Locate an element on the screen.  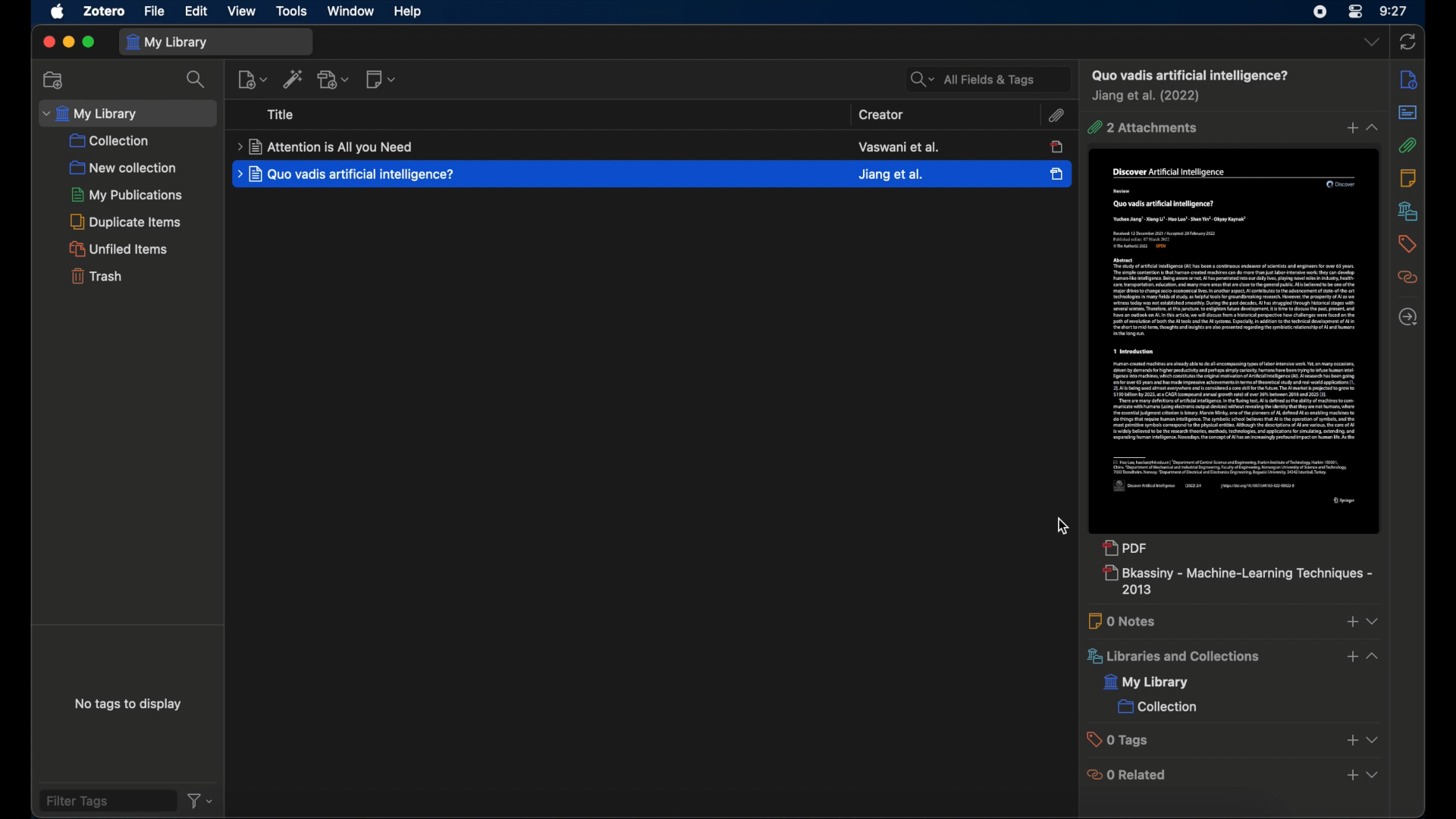
view is located at coordinates (242, 11).